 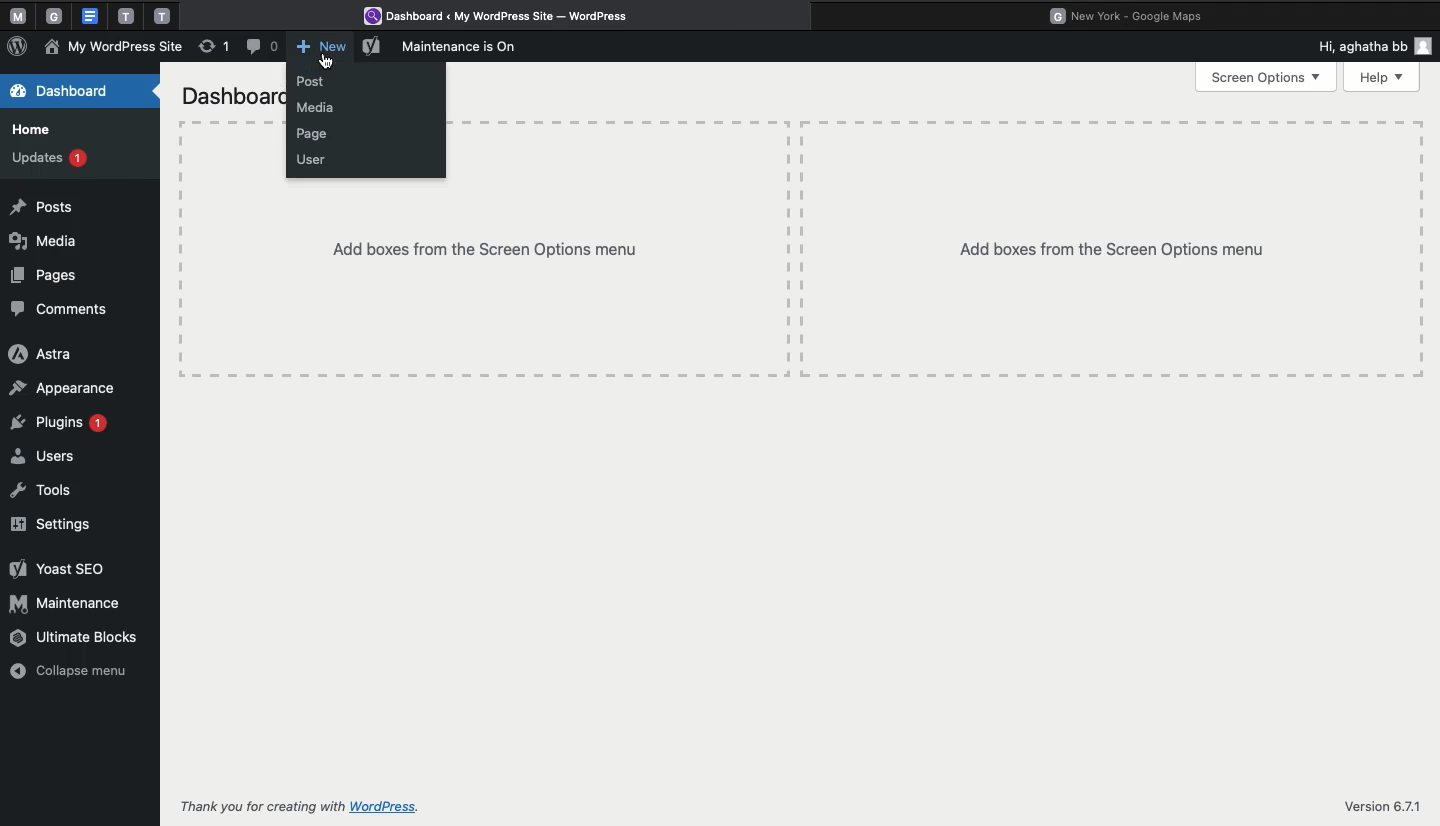 What do you see at coordinates (32, 131) in the screenshot?
I see `Home` at bounding box center [32, 131].